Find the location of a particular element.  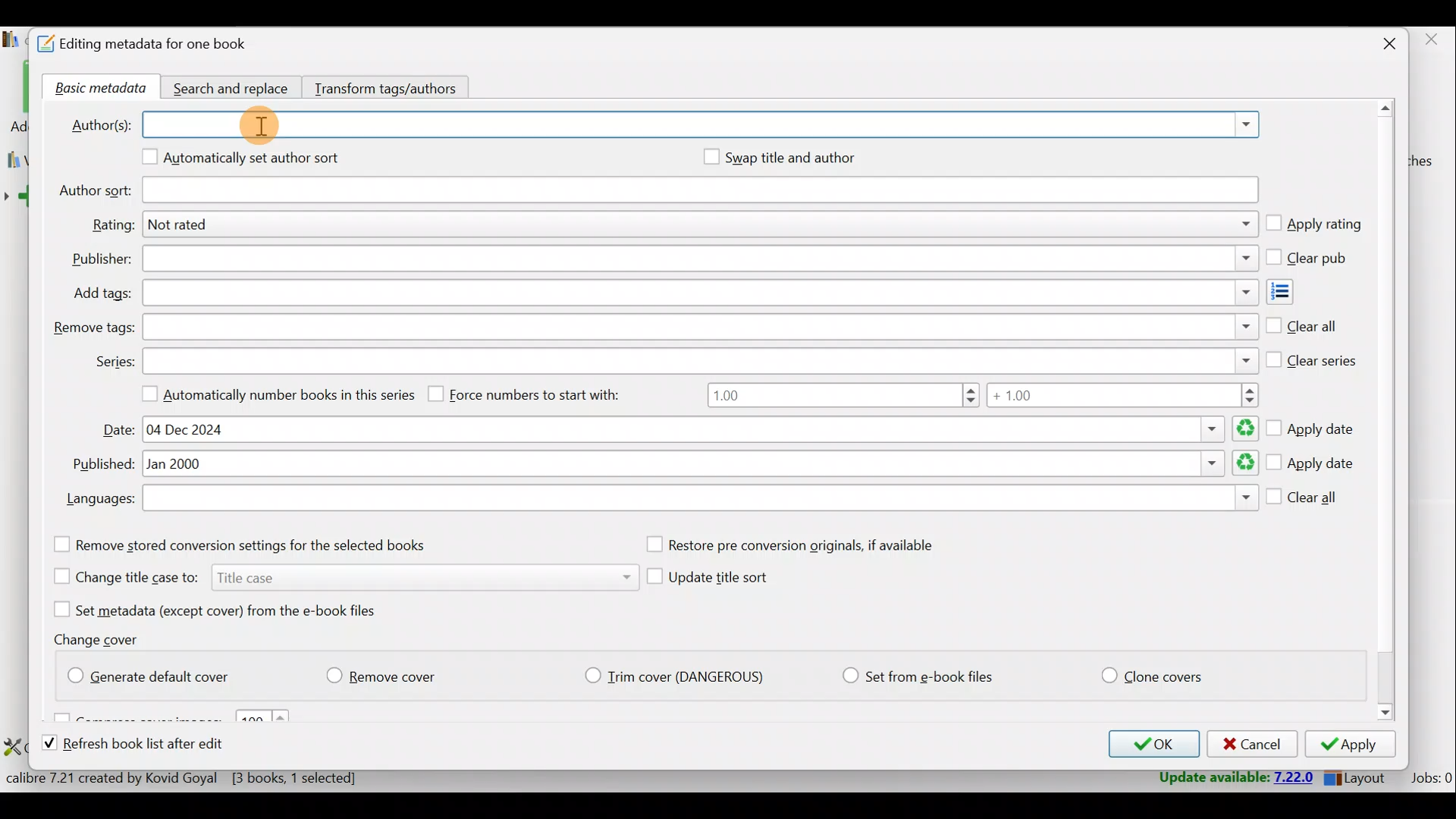

Automatically number books in this series is located at coordinates (272, 393).